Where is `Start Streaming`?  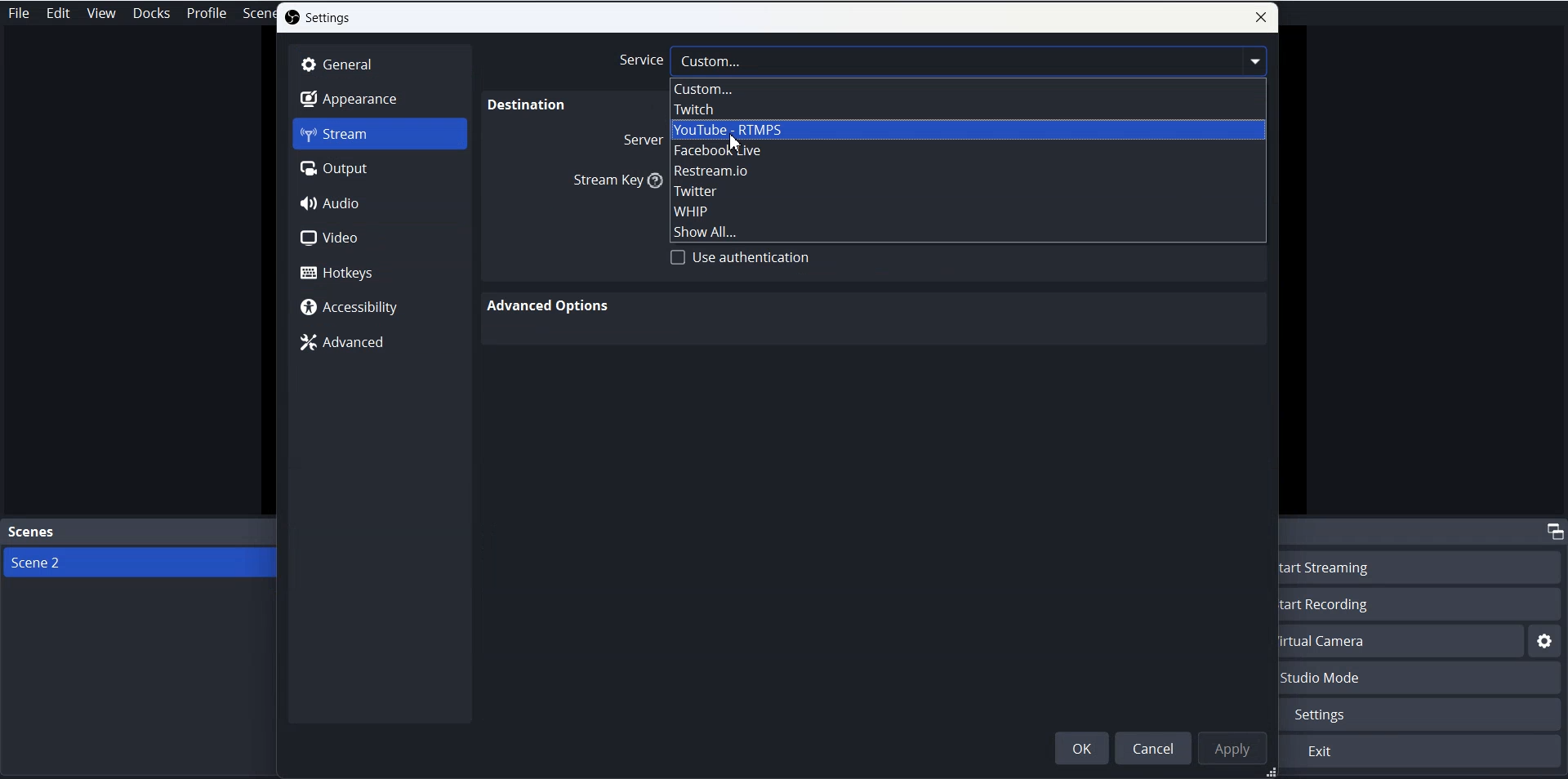
Start Streaming is located at coordinates (1424, 566).